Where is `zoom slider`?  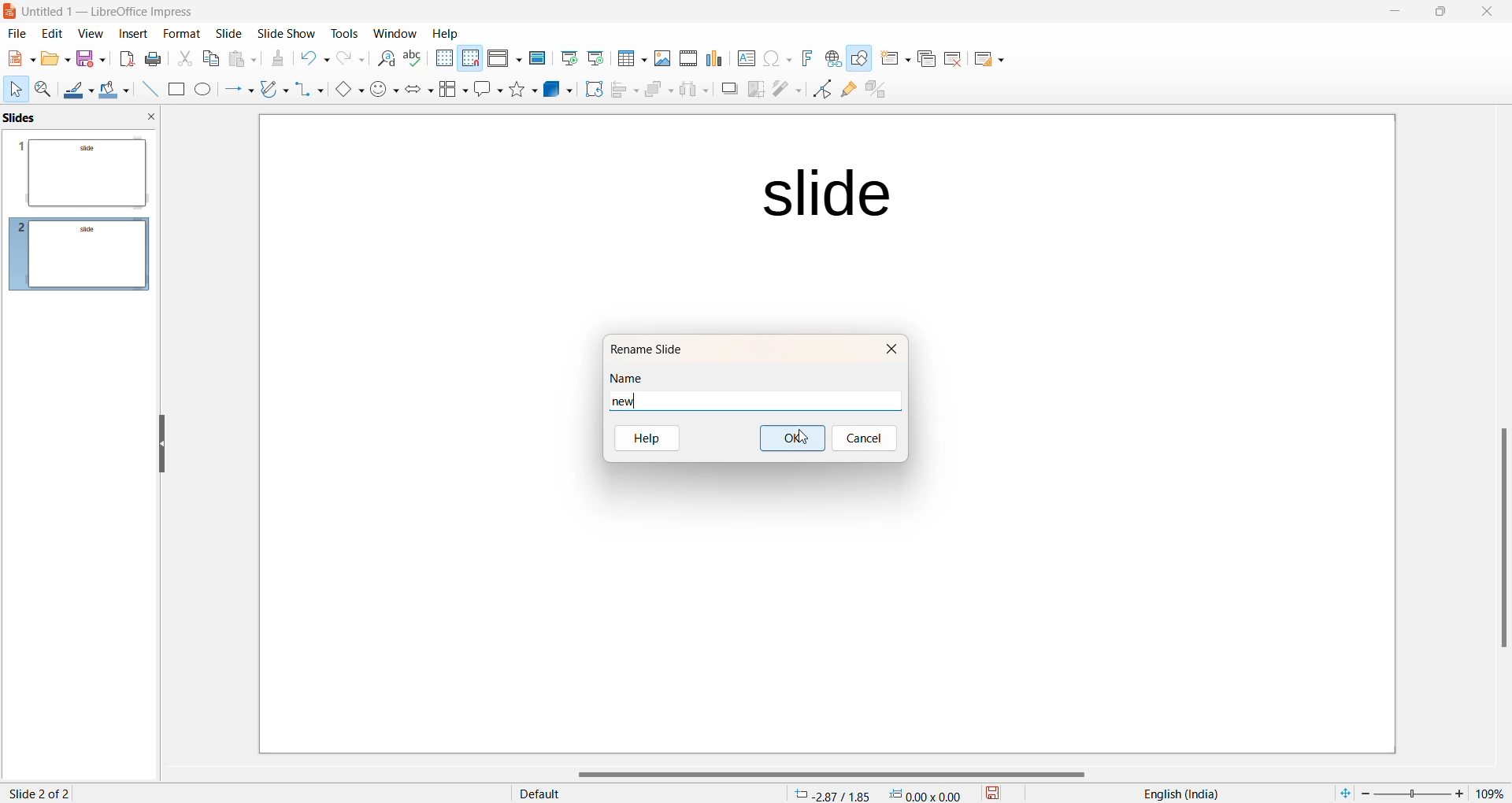
zoom slider is located at coordinates (1416, 792).